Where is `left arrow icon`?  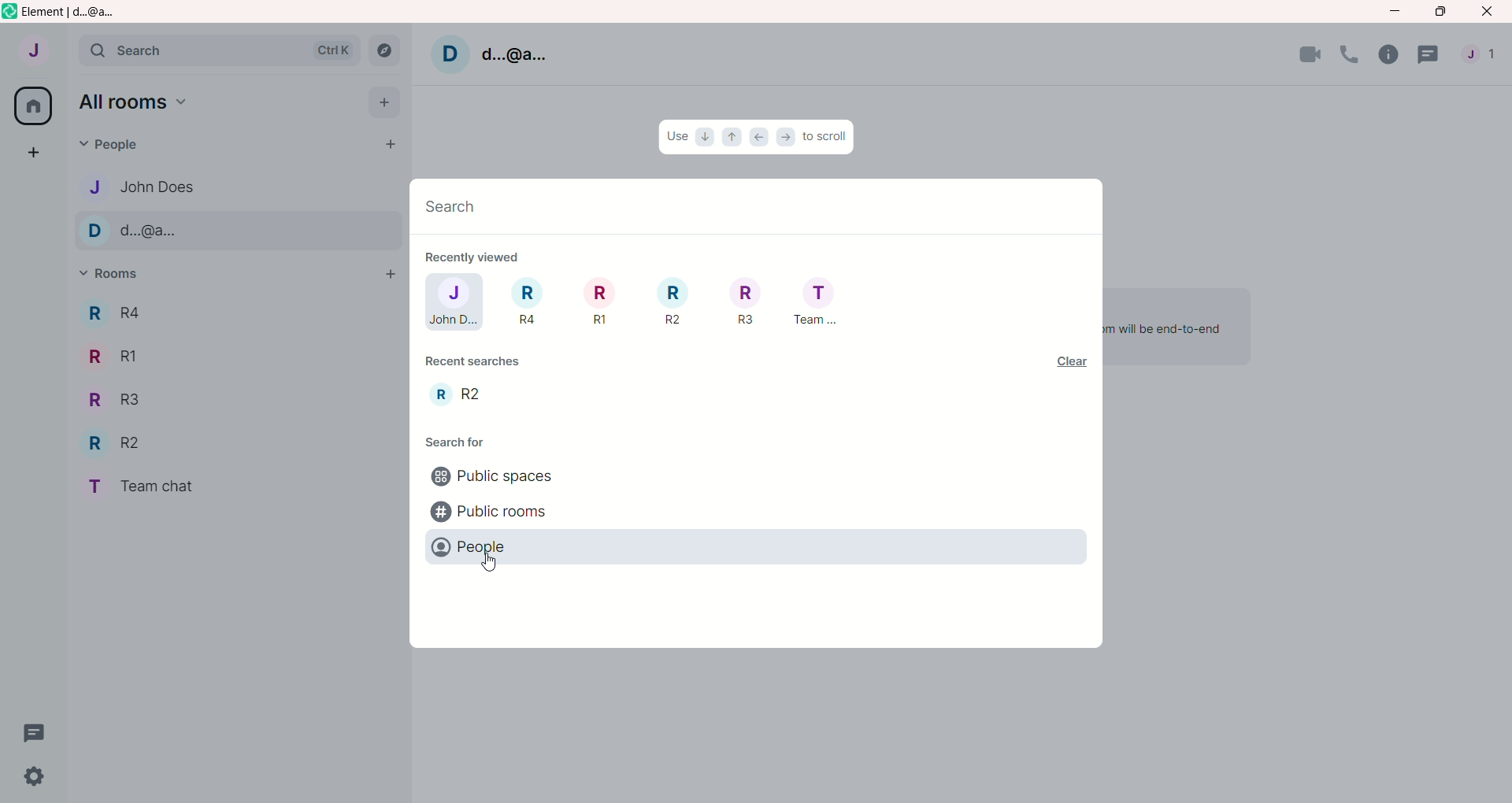 left arrow icon is located at coordinates (760, 138).